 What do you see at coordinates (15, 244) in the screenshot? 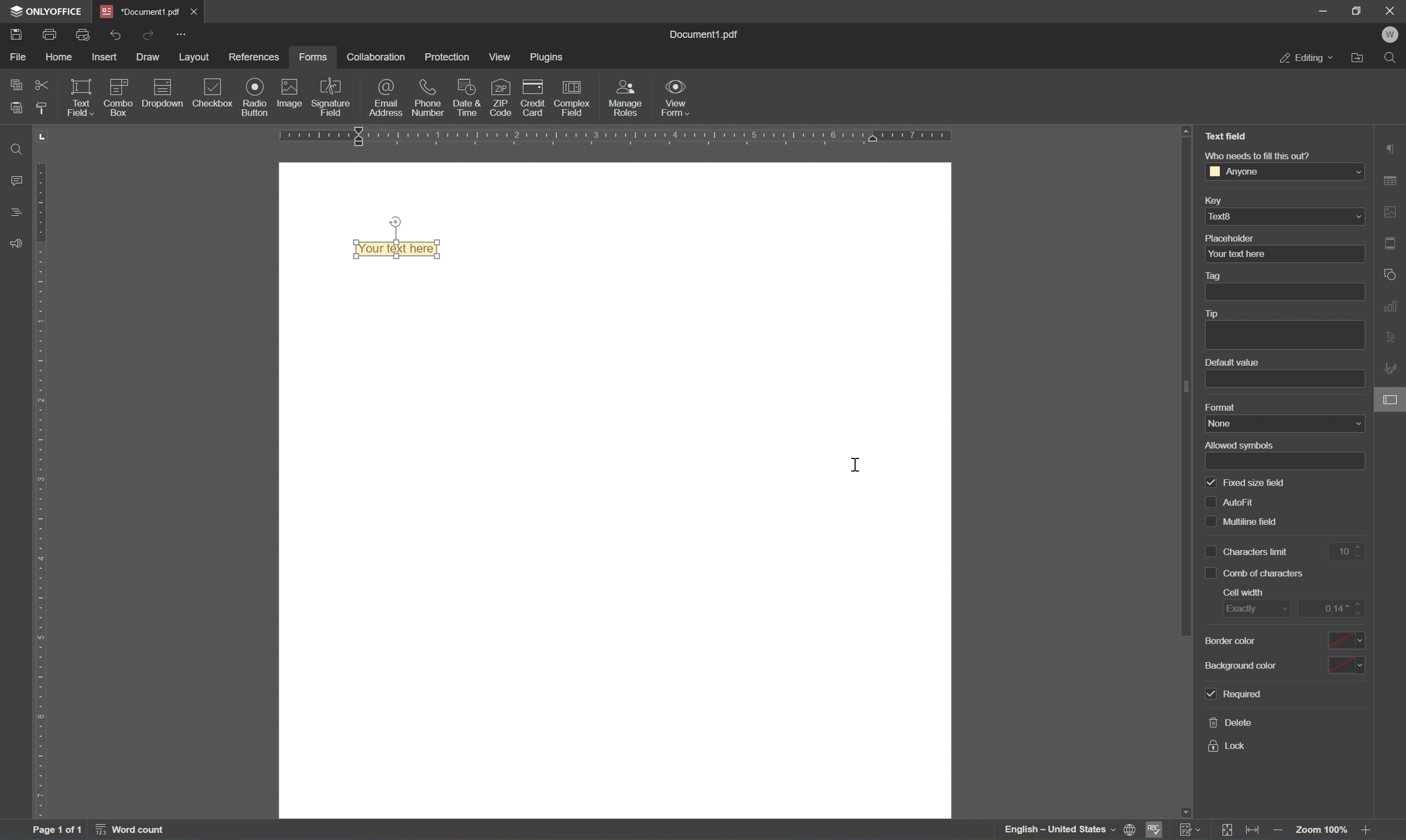
I see `feedback and support` at bounding box center [15, 244].